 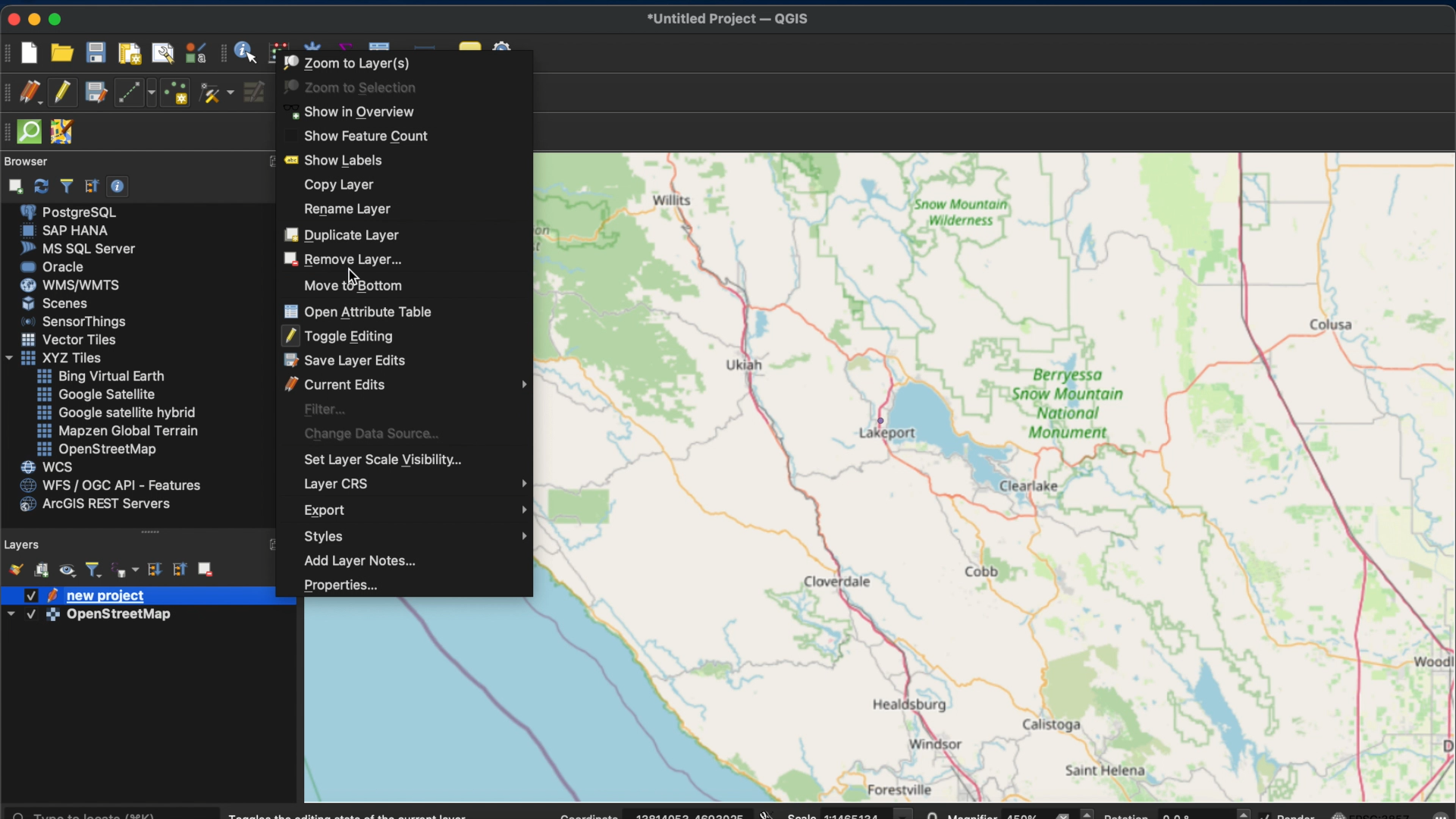 What do you see at coordinates (356, 560) in the screenshot?
I see `add layer notes` at bounding box center [356, 560].